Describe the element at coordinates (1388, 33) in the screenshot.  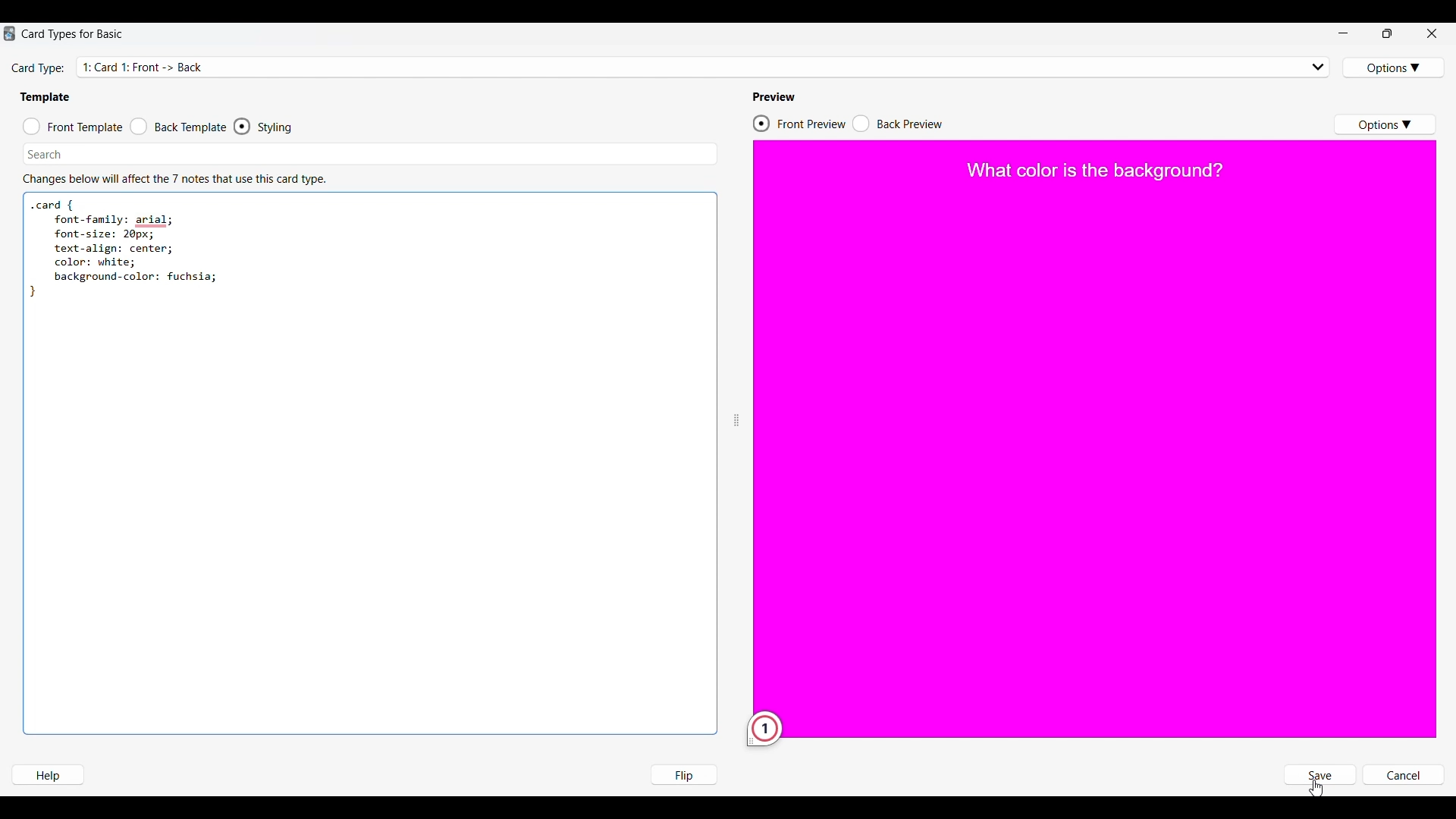
I see `Show interface in smaller tab` at that location.